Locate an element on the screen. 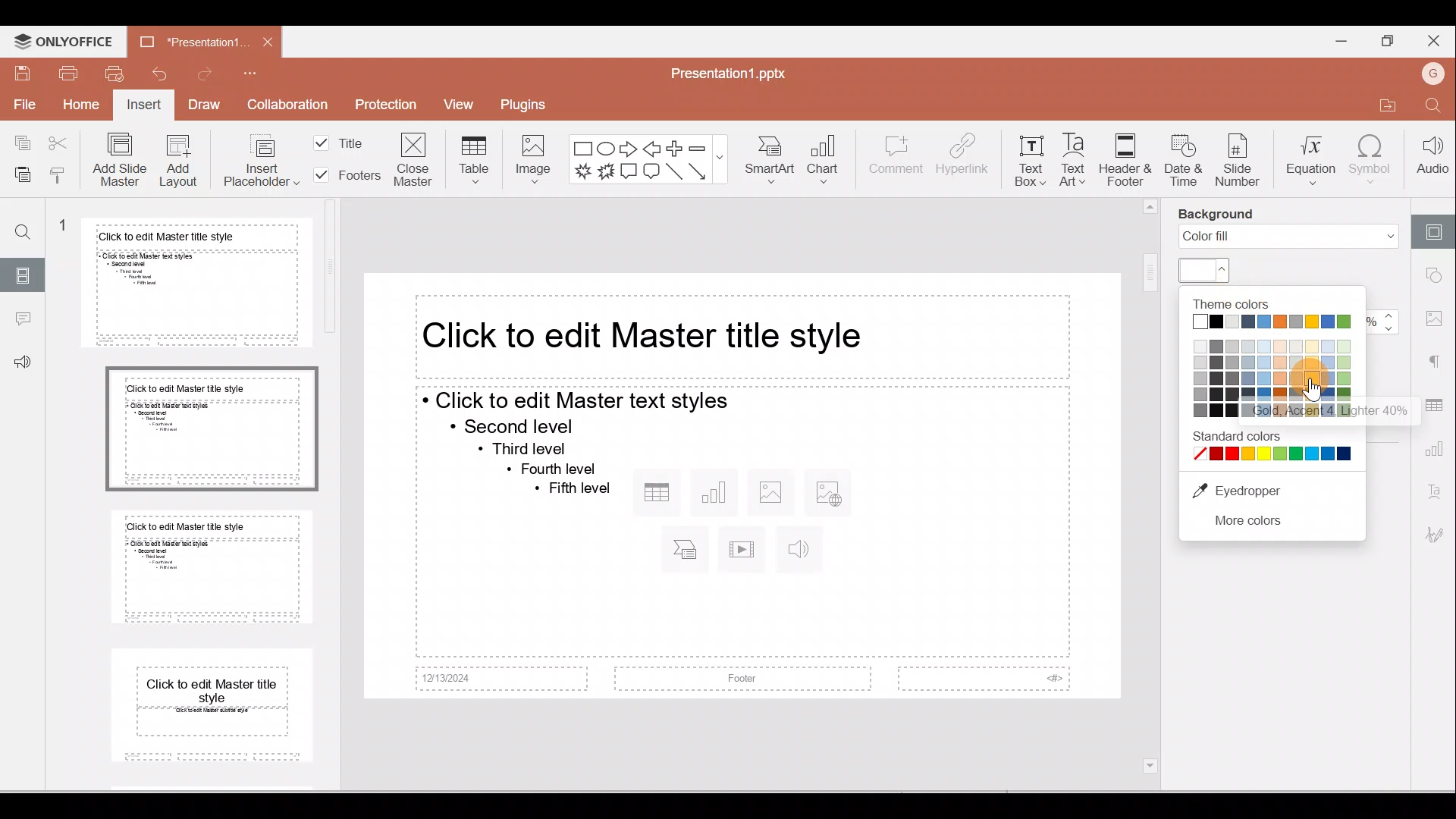 The height and width of the screenshot is (819, 1456). File is located at coordinates (23, 106).